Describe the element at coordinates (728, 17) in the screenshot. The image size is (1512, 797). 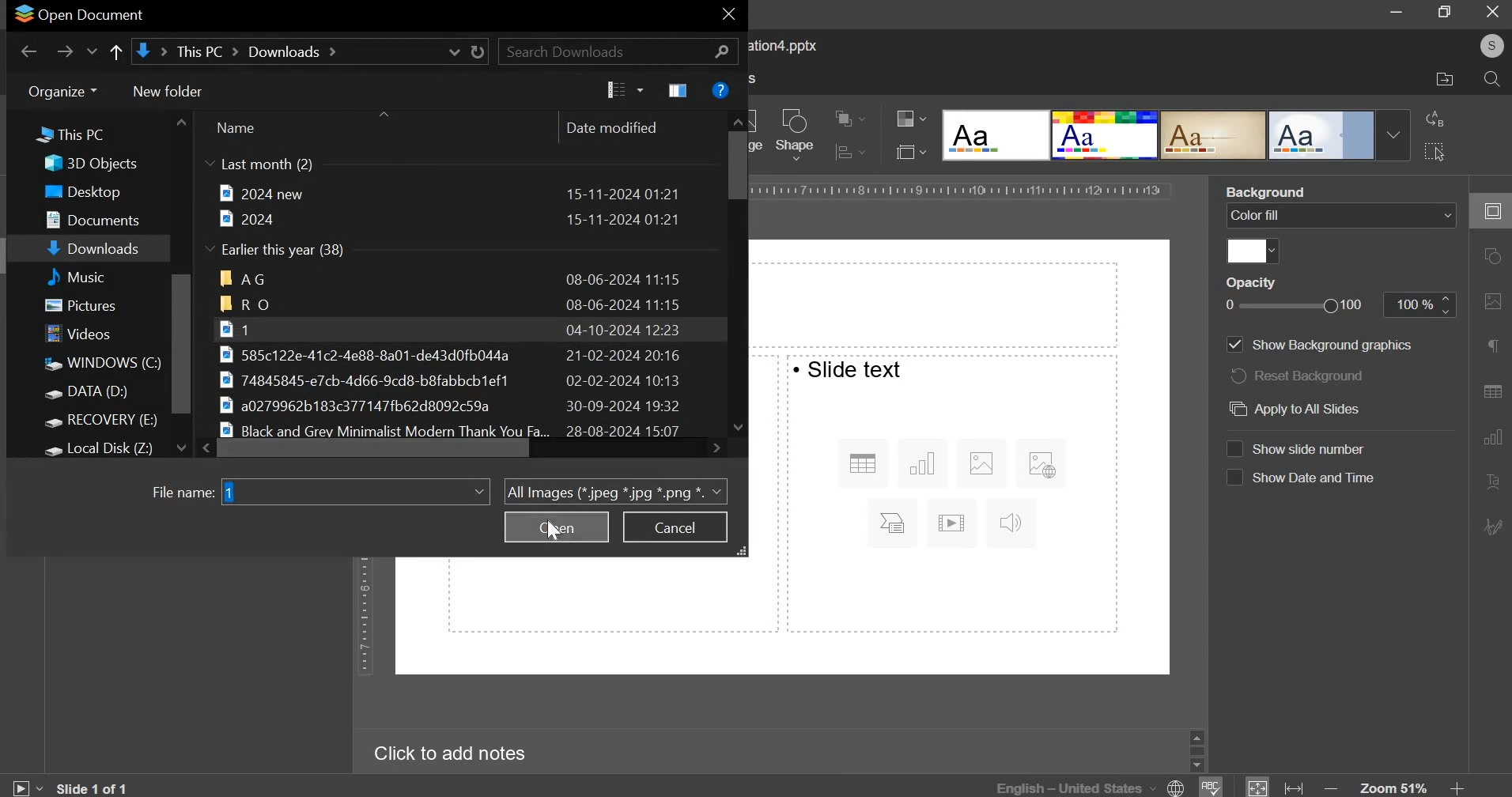
I see `exit` at that location.